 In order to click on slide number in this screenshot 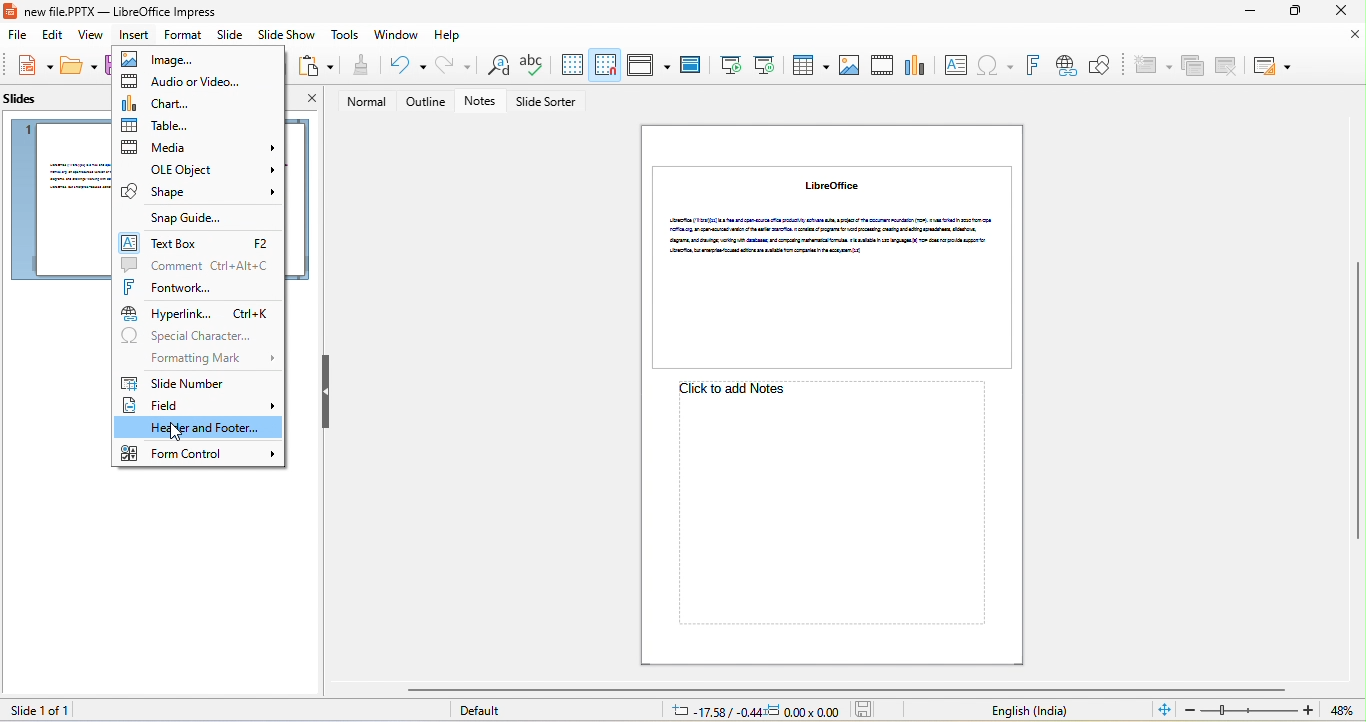, I will do `click(177, 382)`.